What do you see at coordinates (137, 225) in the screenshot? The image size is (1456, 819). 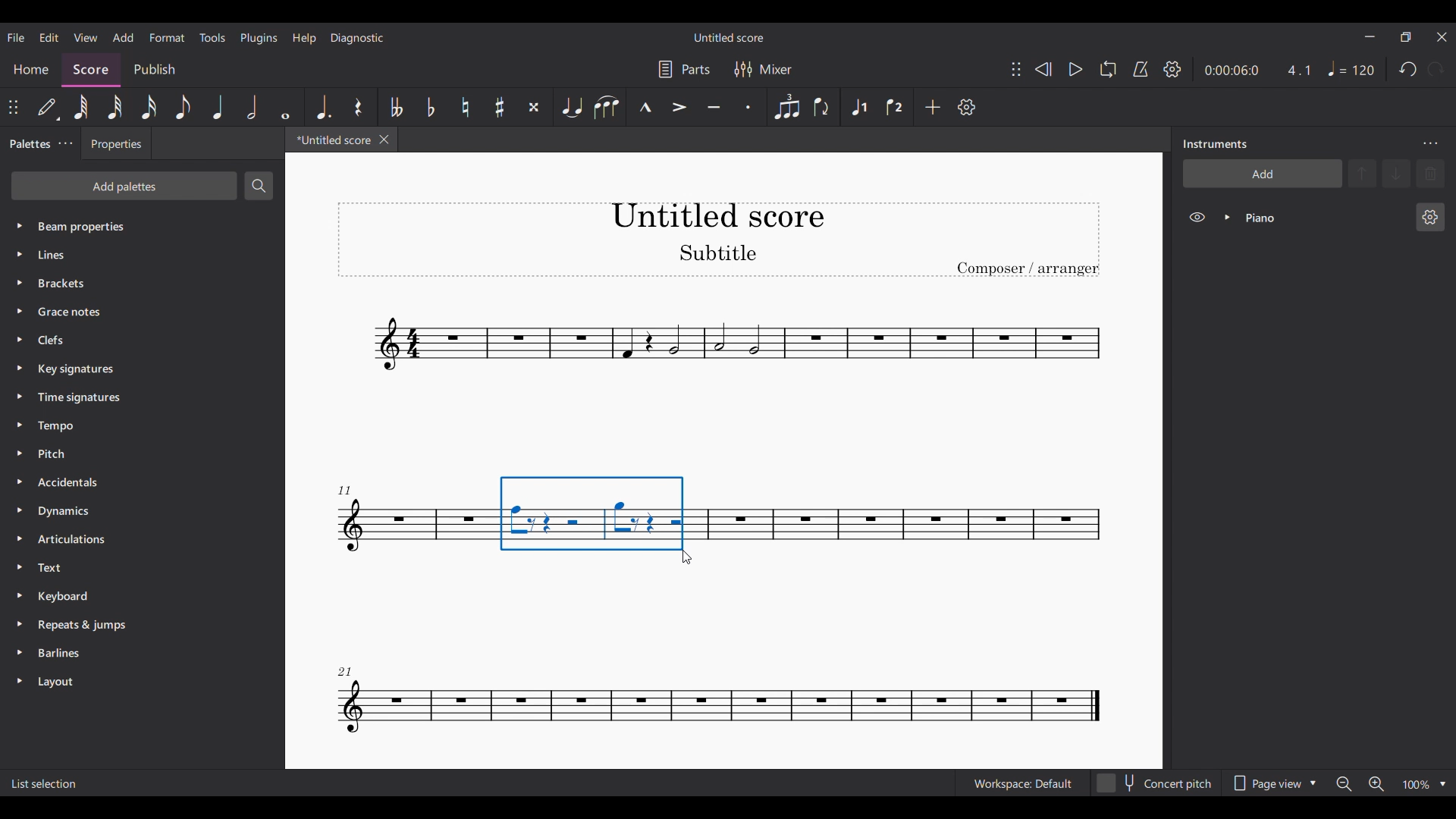 I see `Beam properties` at bounding box center [137, 225].